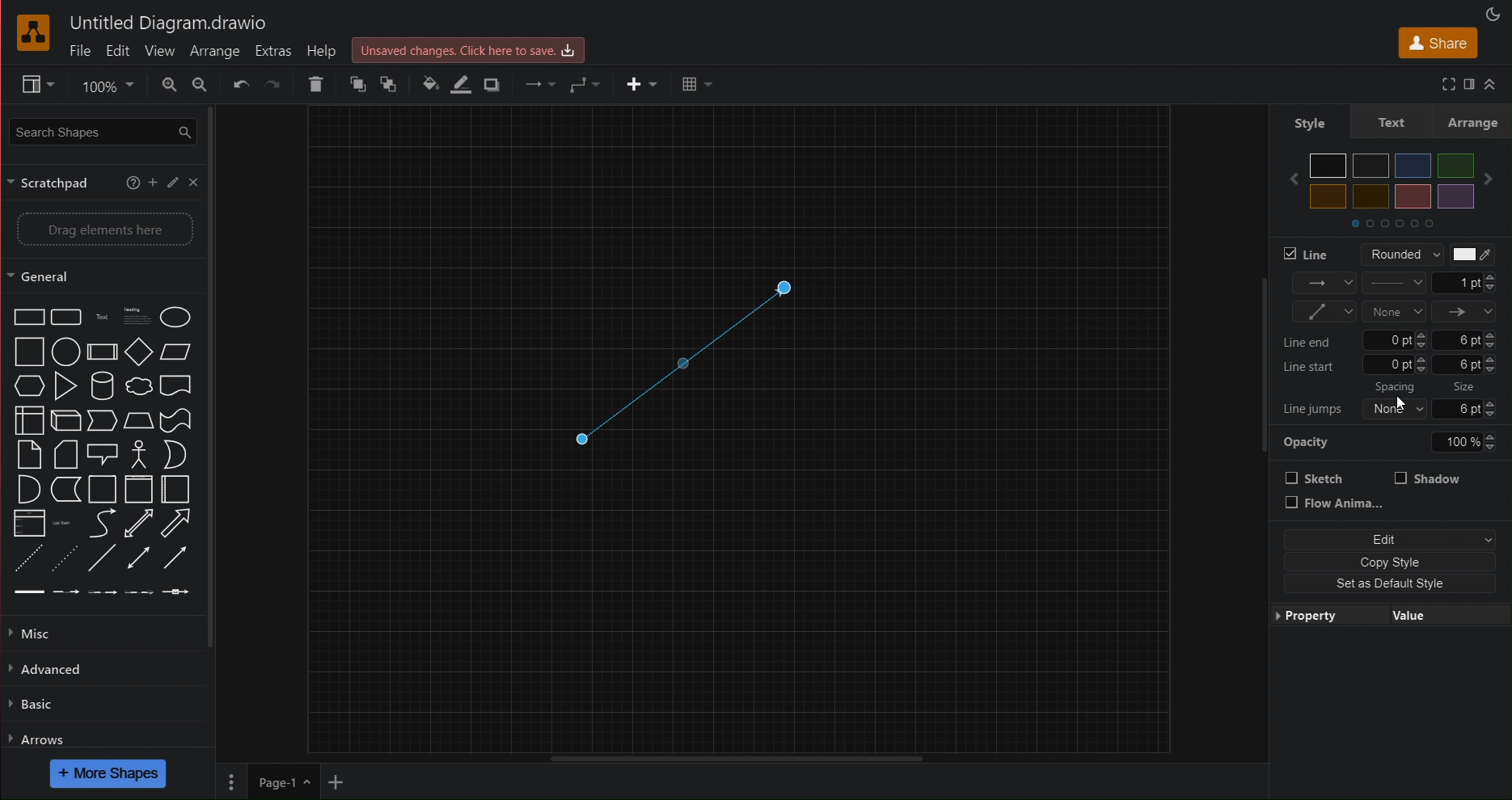  What do you see at coordinates (214, 50) in the screenshot?
I see `Arrange` at bounding box center [214, 50].